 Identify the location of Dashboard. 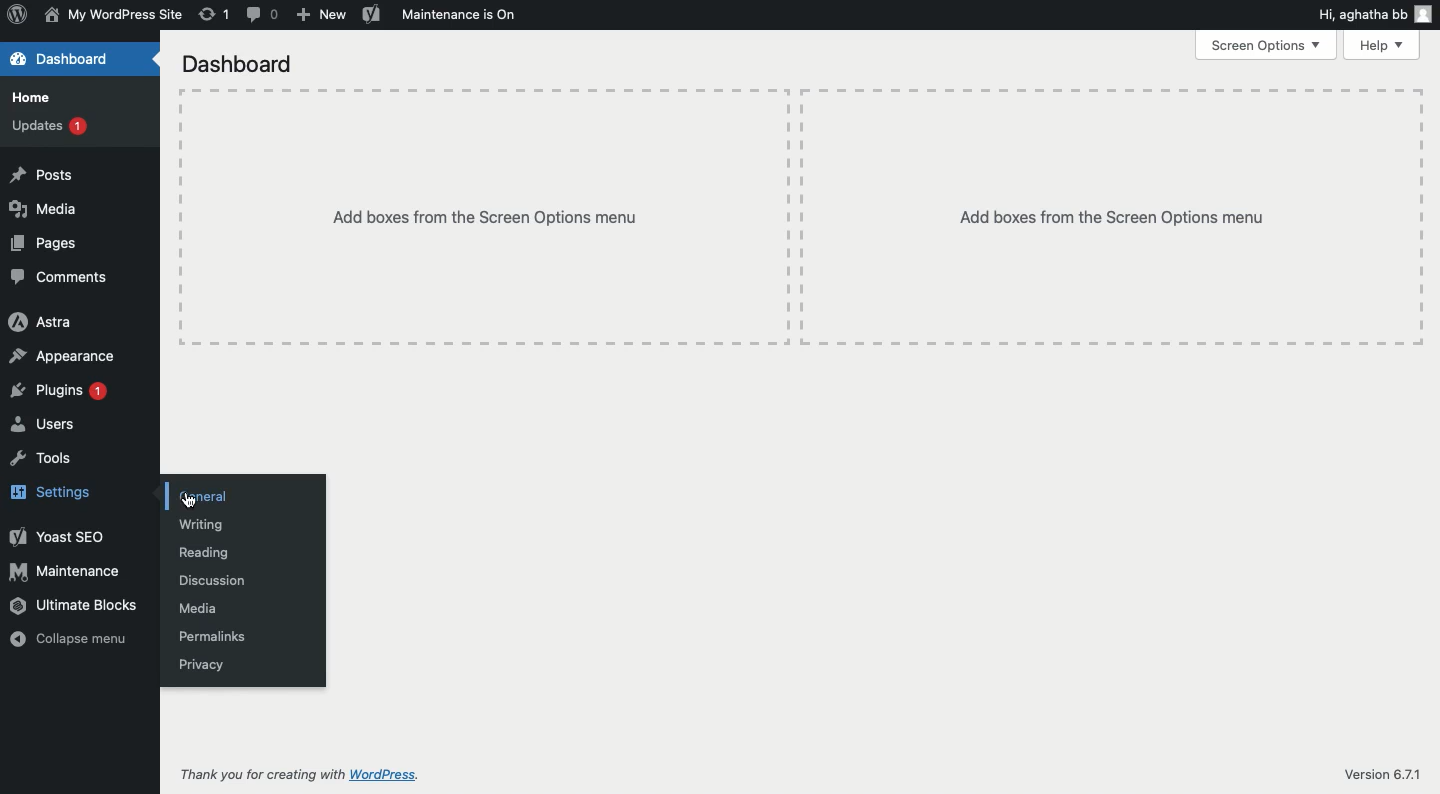
(67, 61).